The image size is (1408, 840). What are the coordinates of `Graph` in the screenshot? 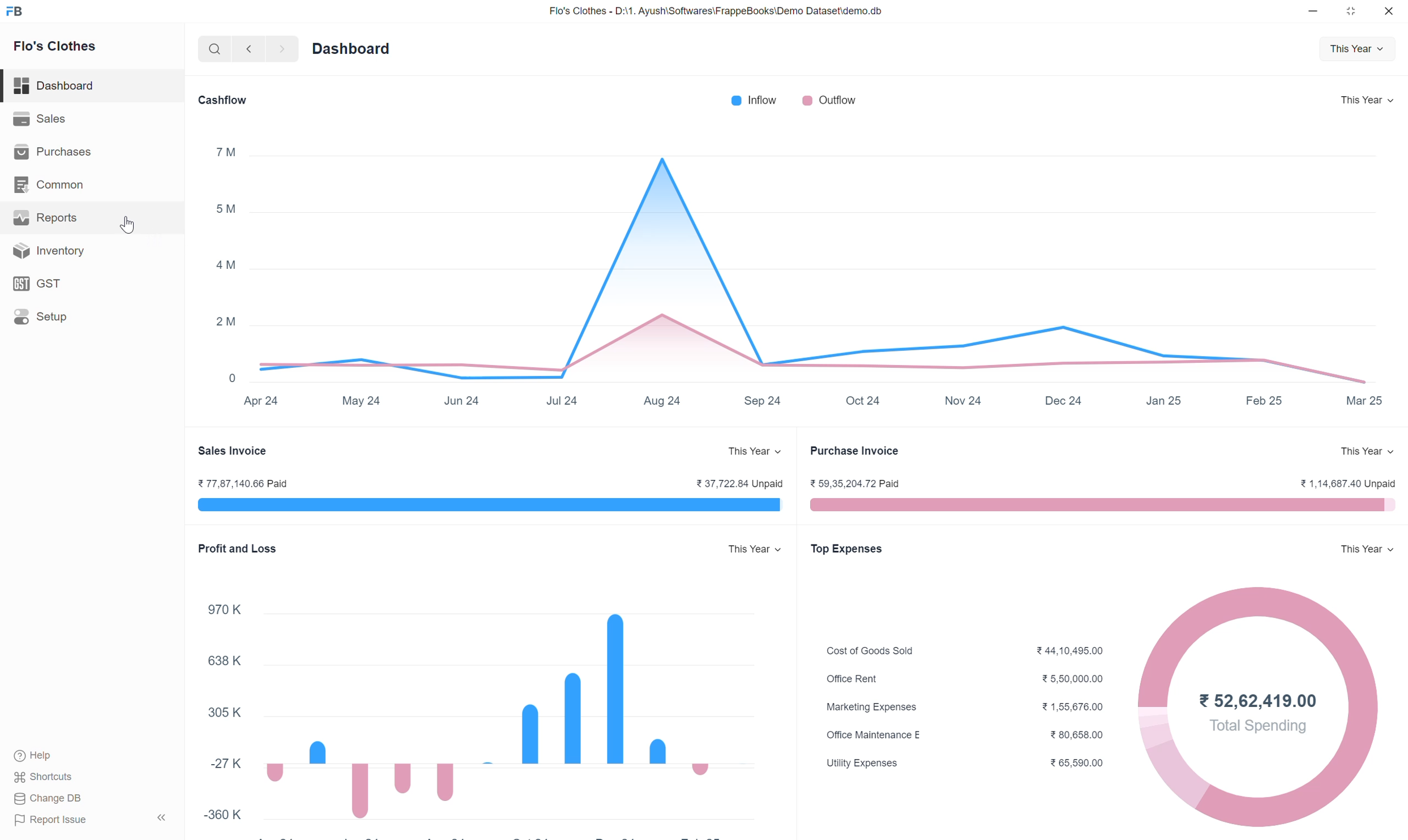 It's located at (823, 266).